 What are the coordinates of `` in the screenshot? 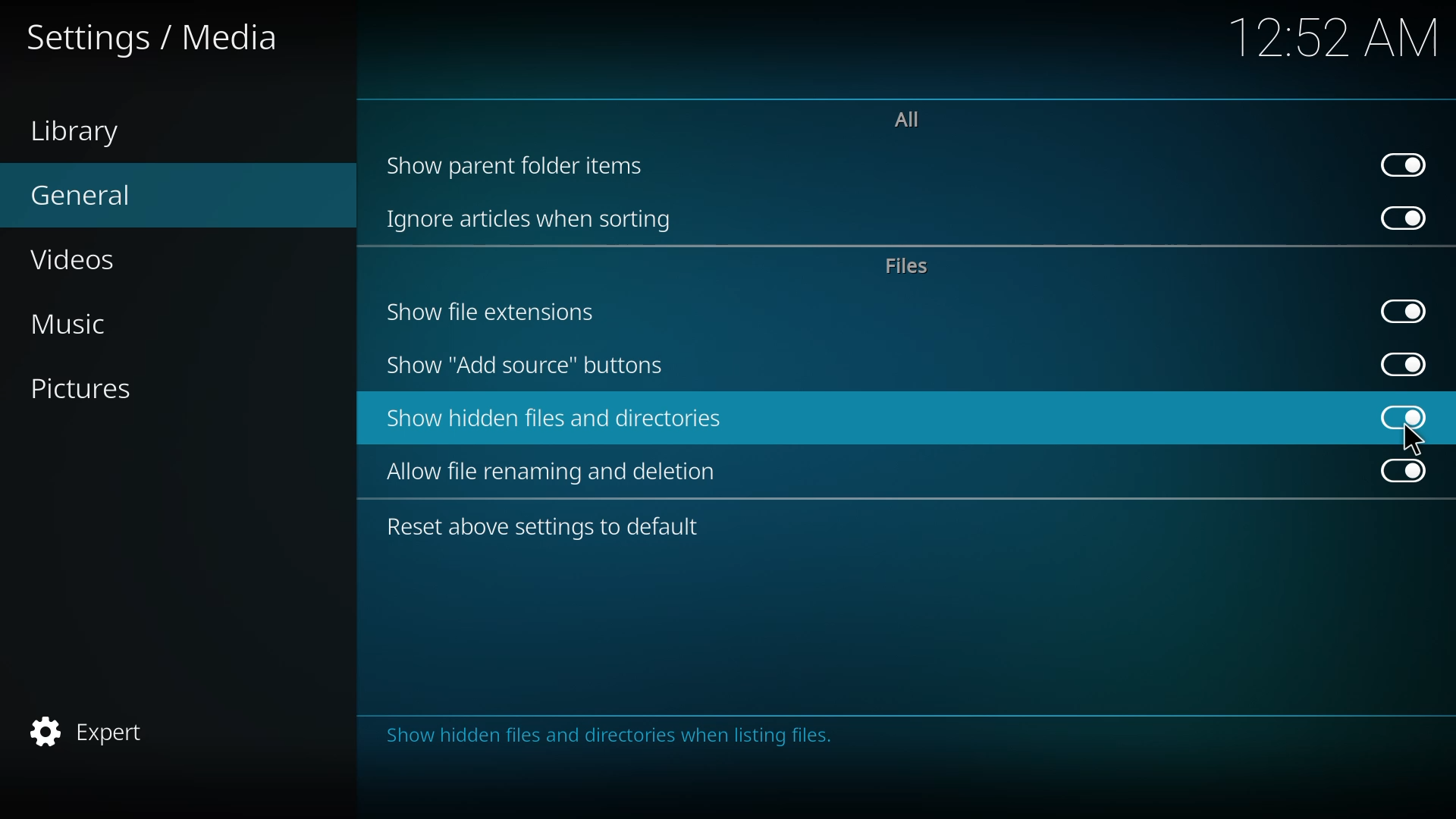 It's located at (604, 741).